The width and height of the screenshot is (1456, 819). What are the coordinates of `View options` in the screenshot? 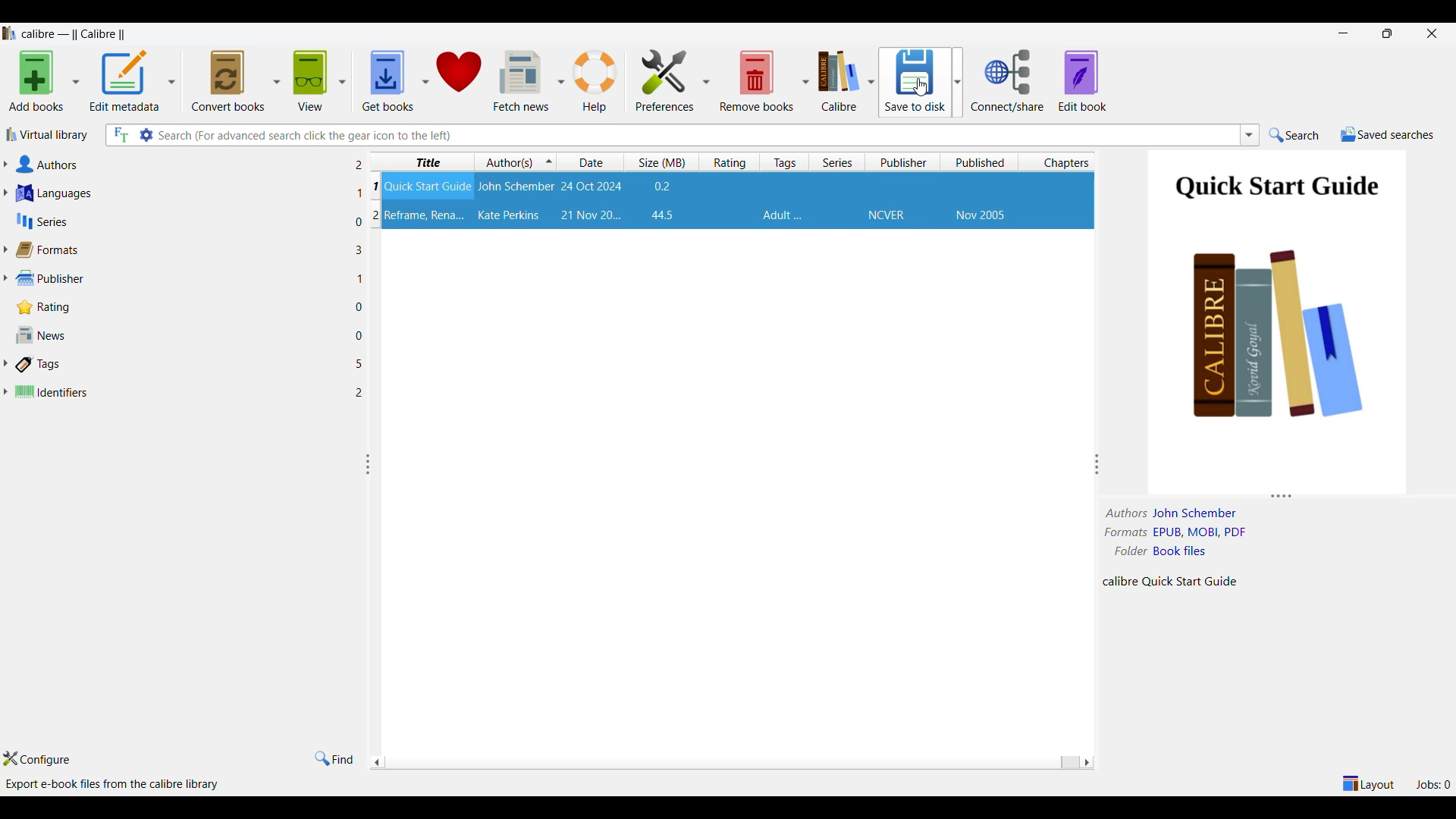 It's located at (318, 80).